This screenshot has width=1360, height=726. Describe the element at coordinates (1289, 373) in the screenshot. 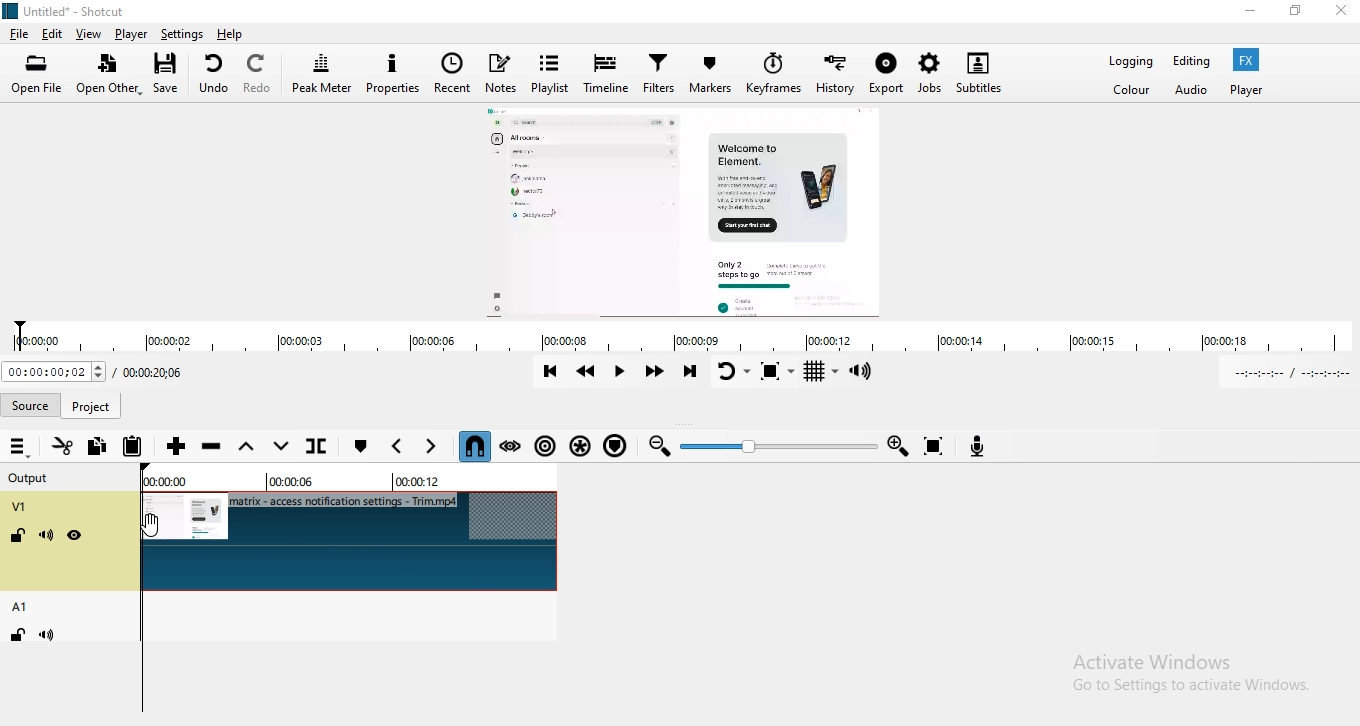

I see `In point` at that location.